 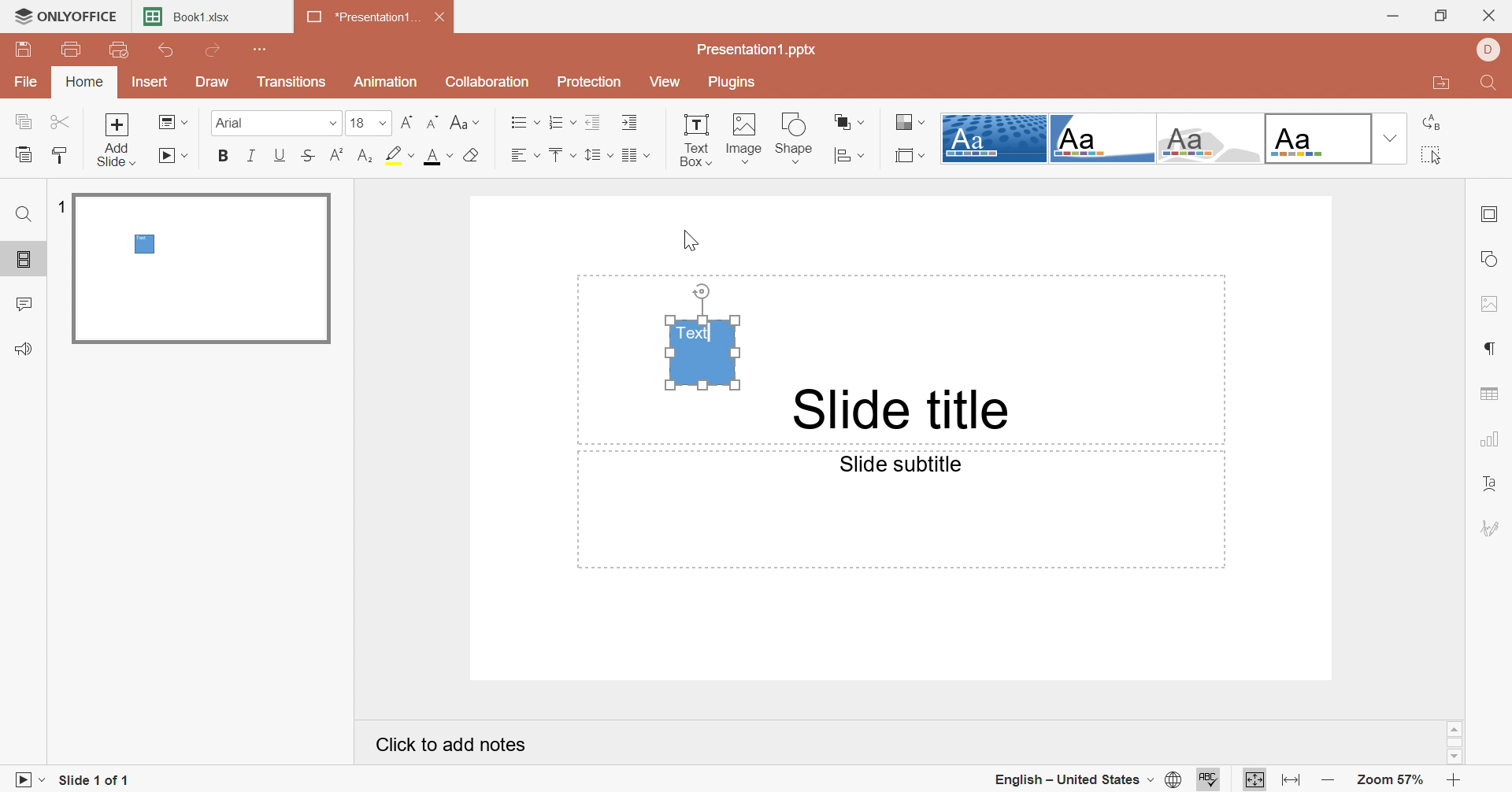 I want to click on Zoom 57%, so click(x=1395, y=778).